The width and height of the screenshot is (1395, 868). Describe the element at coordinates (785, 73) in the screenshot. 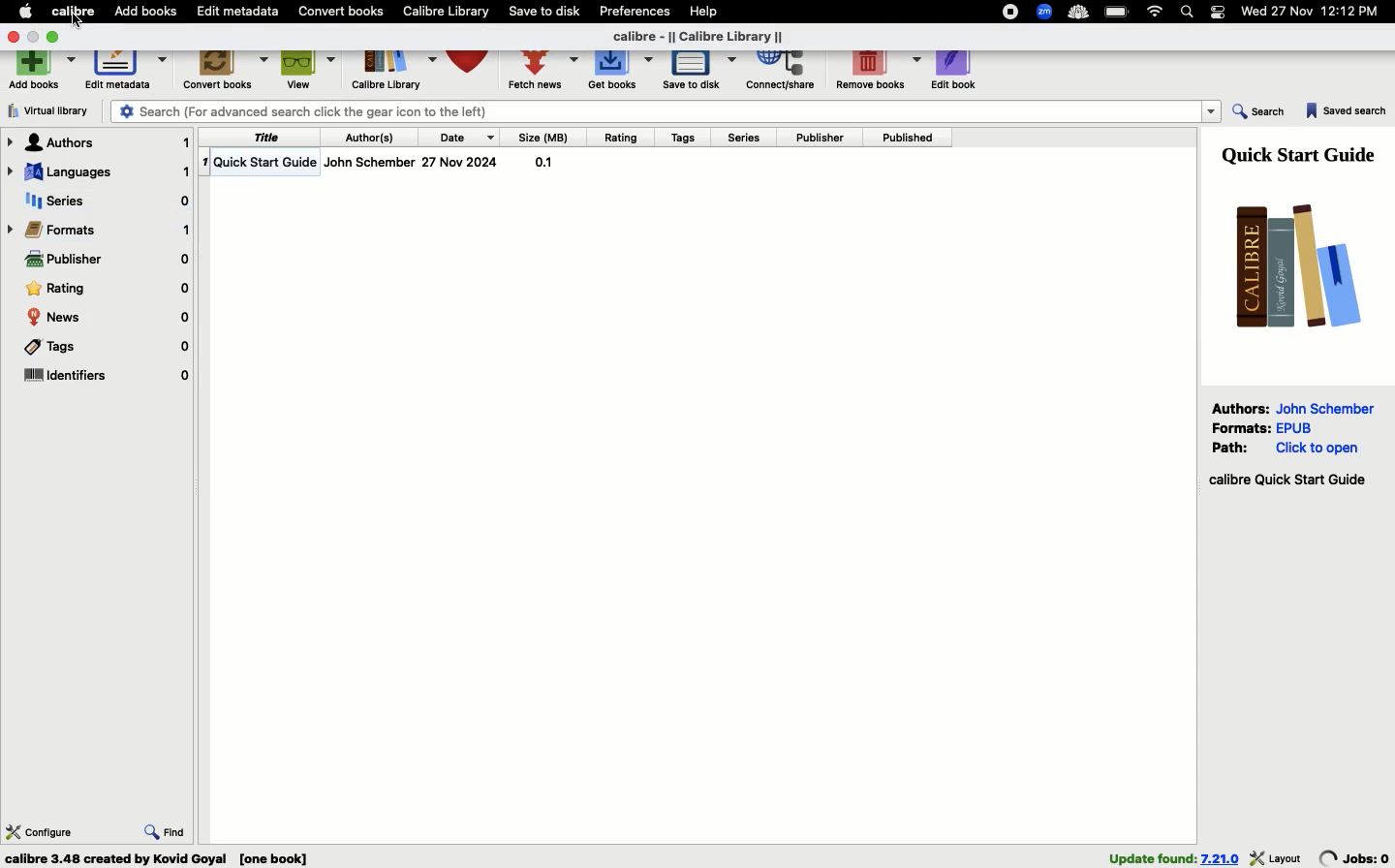

I see `Correct, share` at that location.